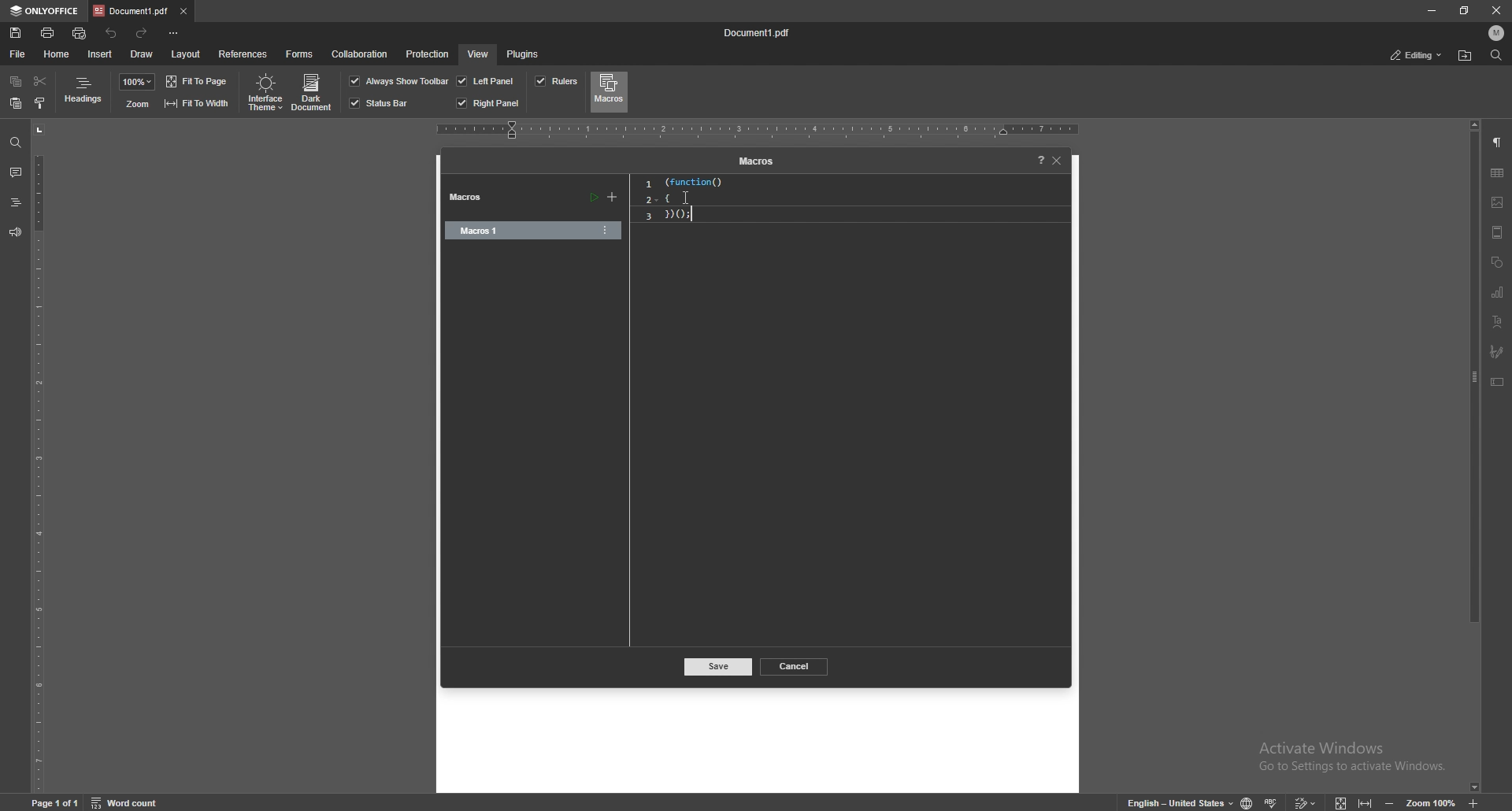 This screenshot has width=1512, height=811. What do you see at coordinates (486, 80) in the screenshot?
I see `left panel` at bounding box center [486, 80].